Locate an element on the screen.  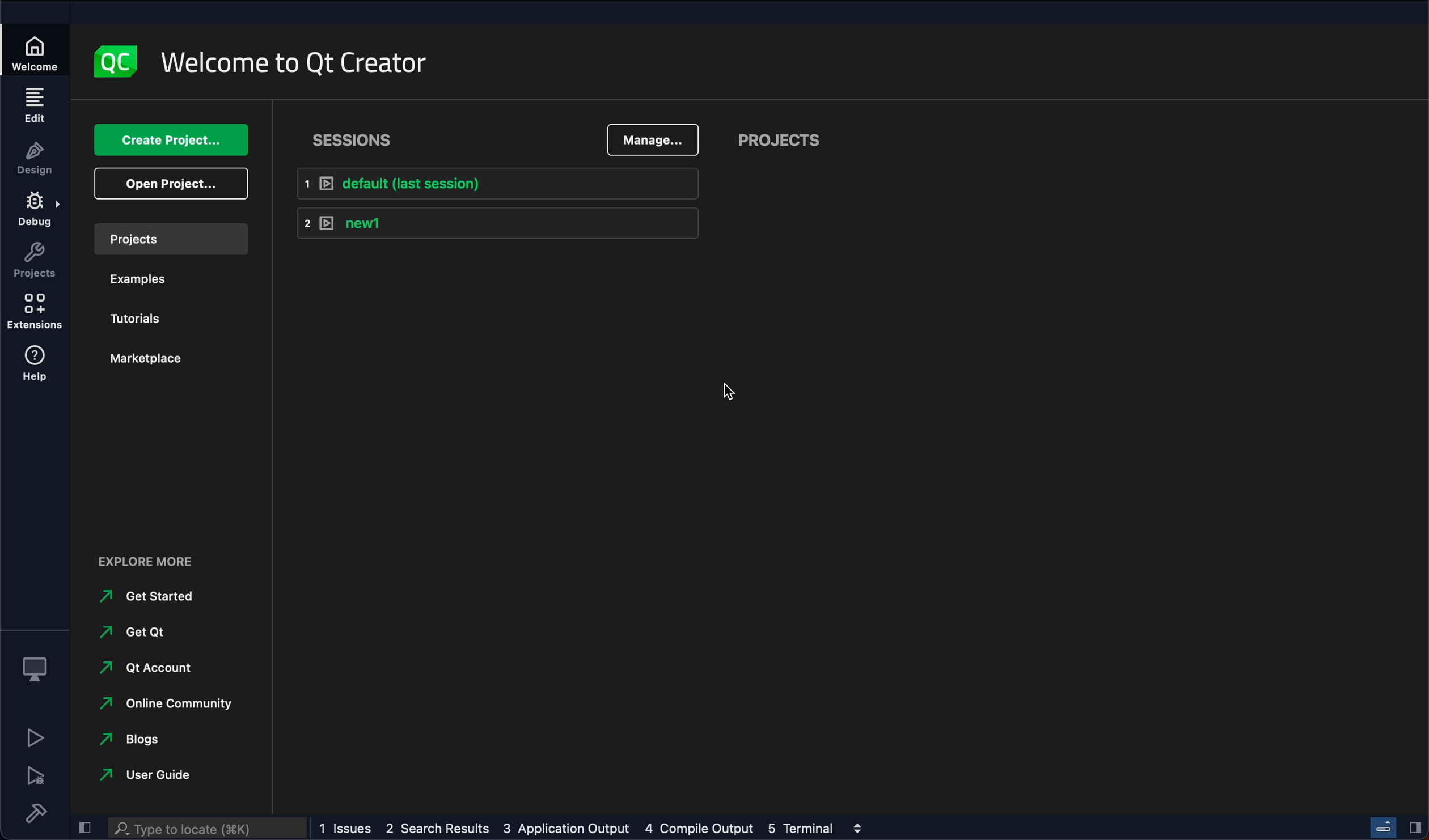
sessions is located at coordinates (356, 136).